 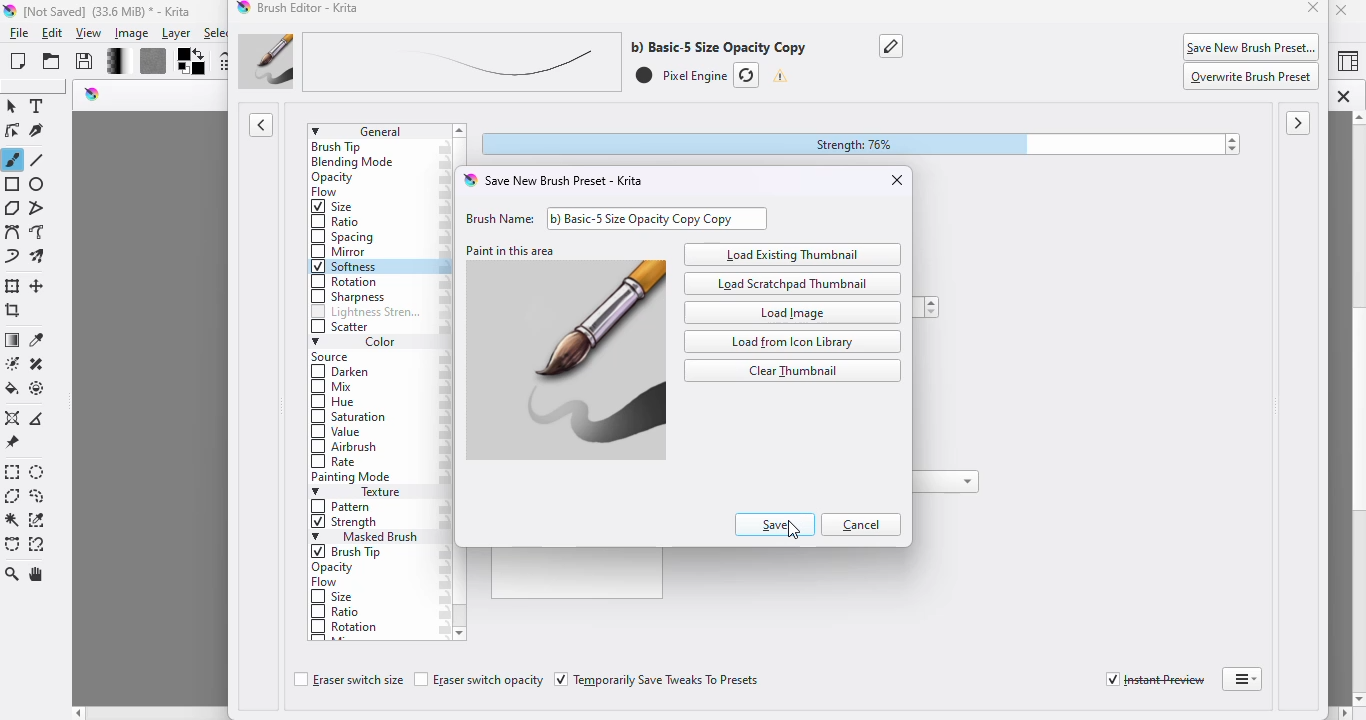 I want to click on blending mode, so click(x=354, y=163).